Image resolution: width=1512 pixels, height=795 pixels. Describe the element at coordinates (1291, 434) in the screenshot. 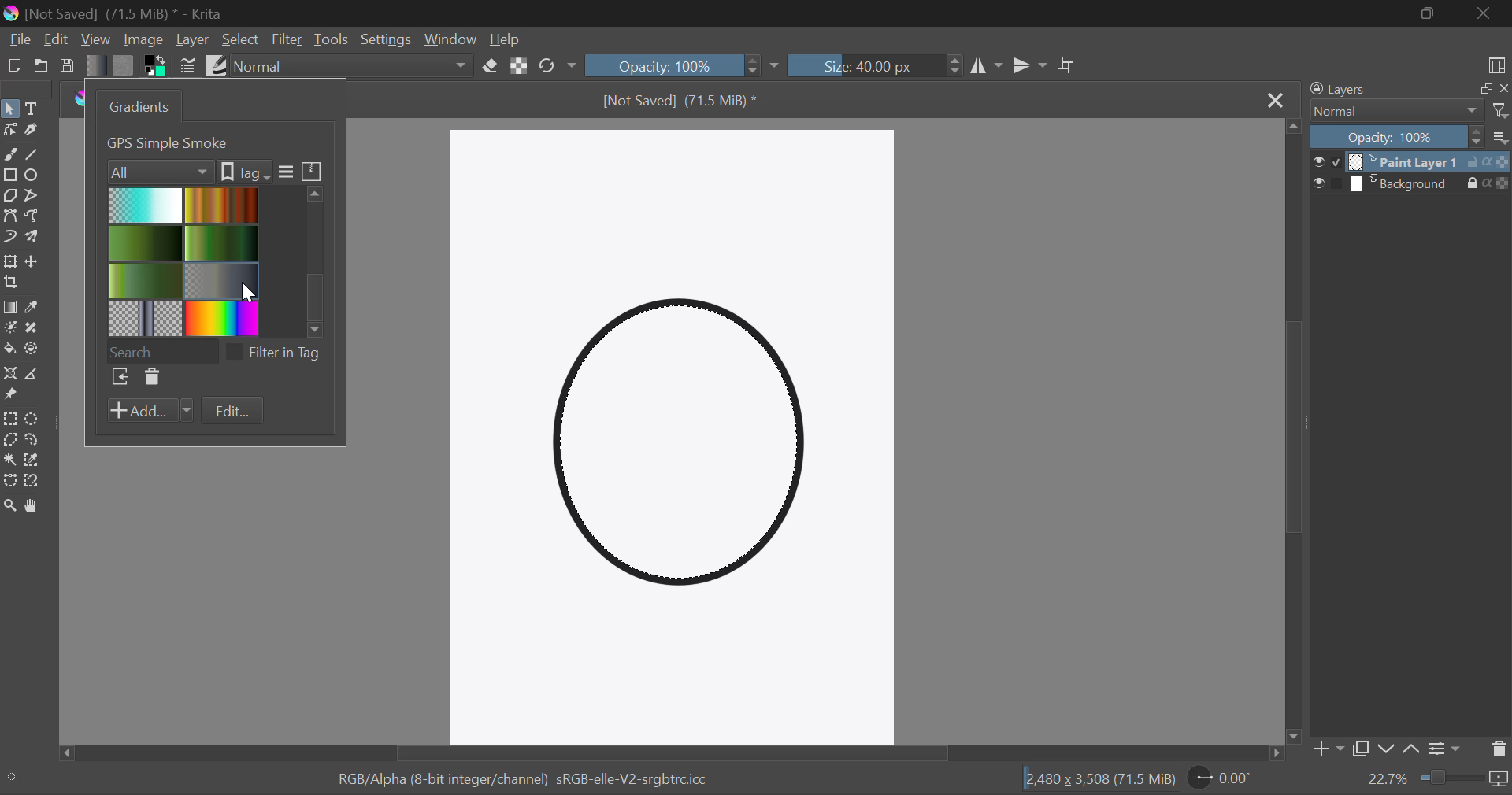

I see `Scroll Bar` at that location.